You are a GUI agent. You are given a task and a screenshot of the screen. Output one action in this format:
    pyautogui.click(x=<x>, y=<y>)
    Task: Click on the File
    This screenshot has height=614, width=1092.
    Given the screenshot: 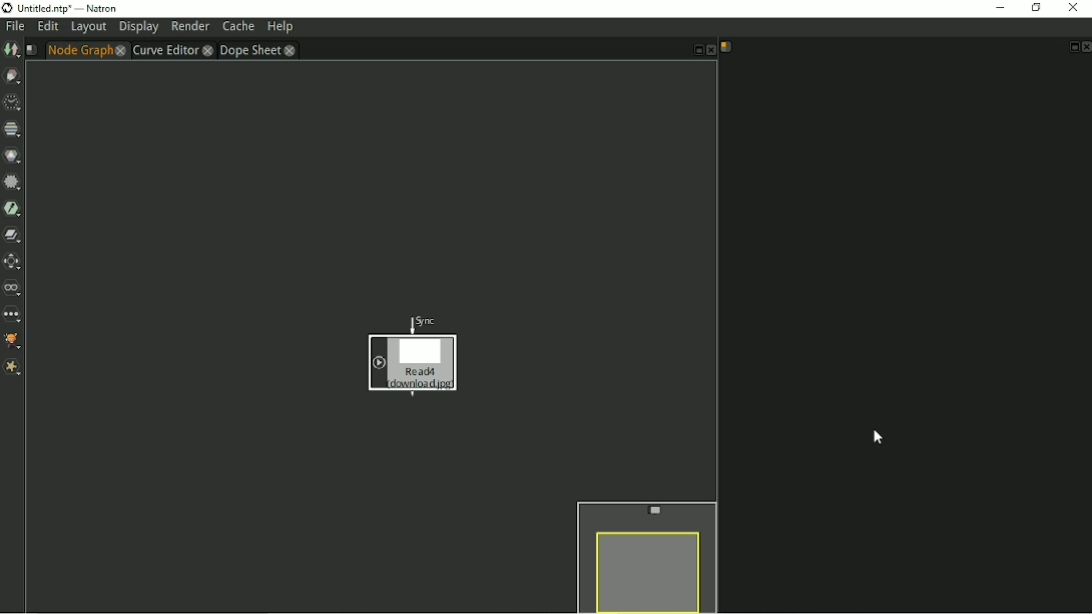 What is the action you would take?
    pyautogui.click(x=14, y=27)
    